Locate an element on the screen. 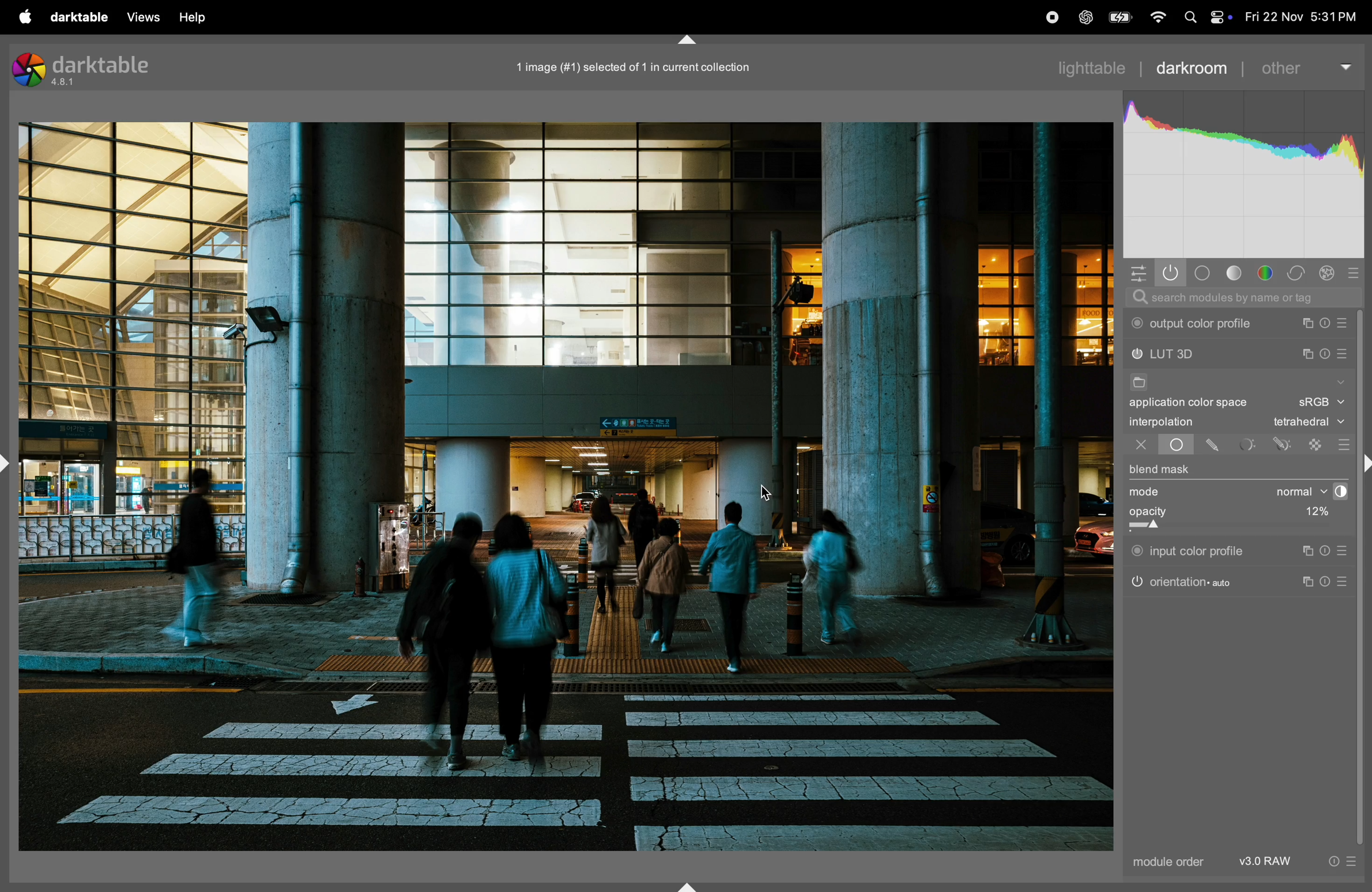 This screenshot has width=1372, height=892. instance is located at coordinates (1310, 583).